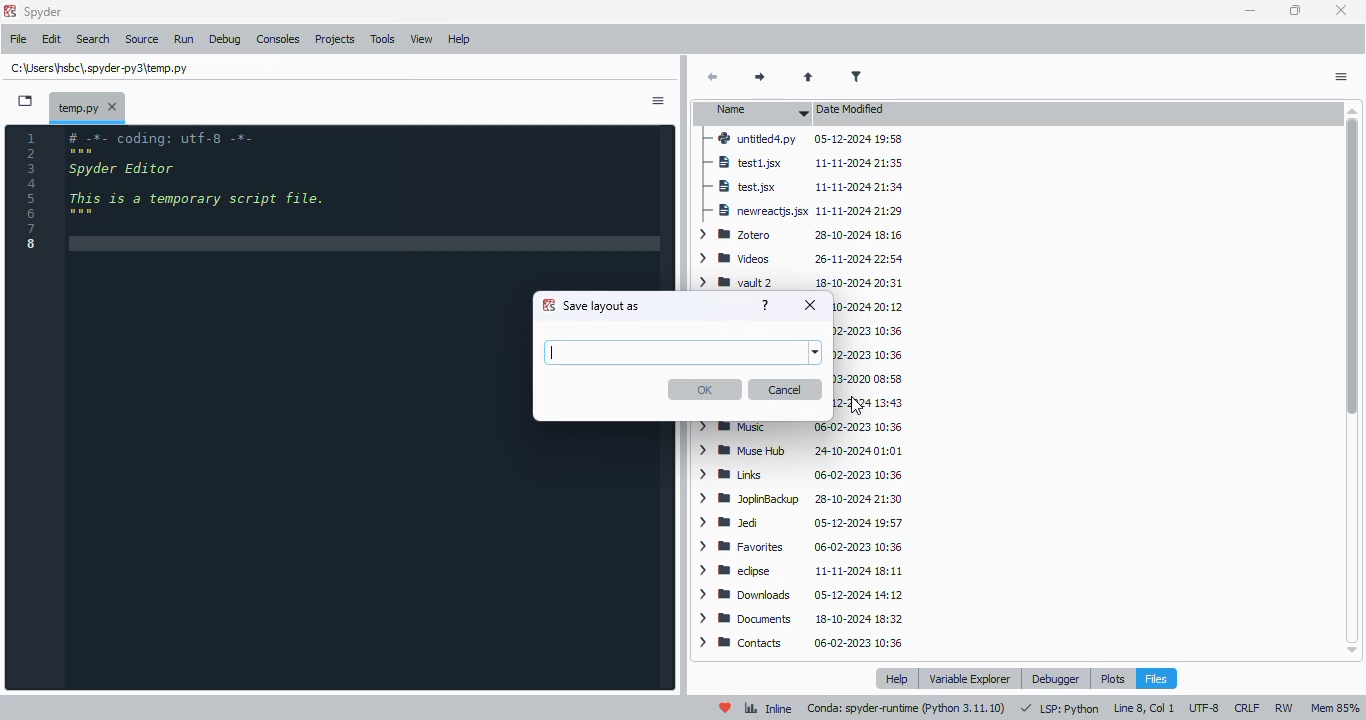 Image resolution: width=1366 pixels, height=720 pixels. What do you see at coordinates (907, 709) in the screenshot?
I see `conda: spyder-runtime (python 3. 11. 10)` at bounding box center [907, 709].